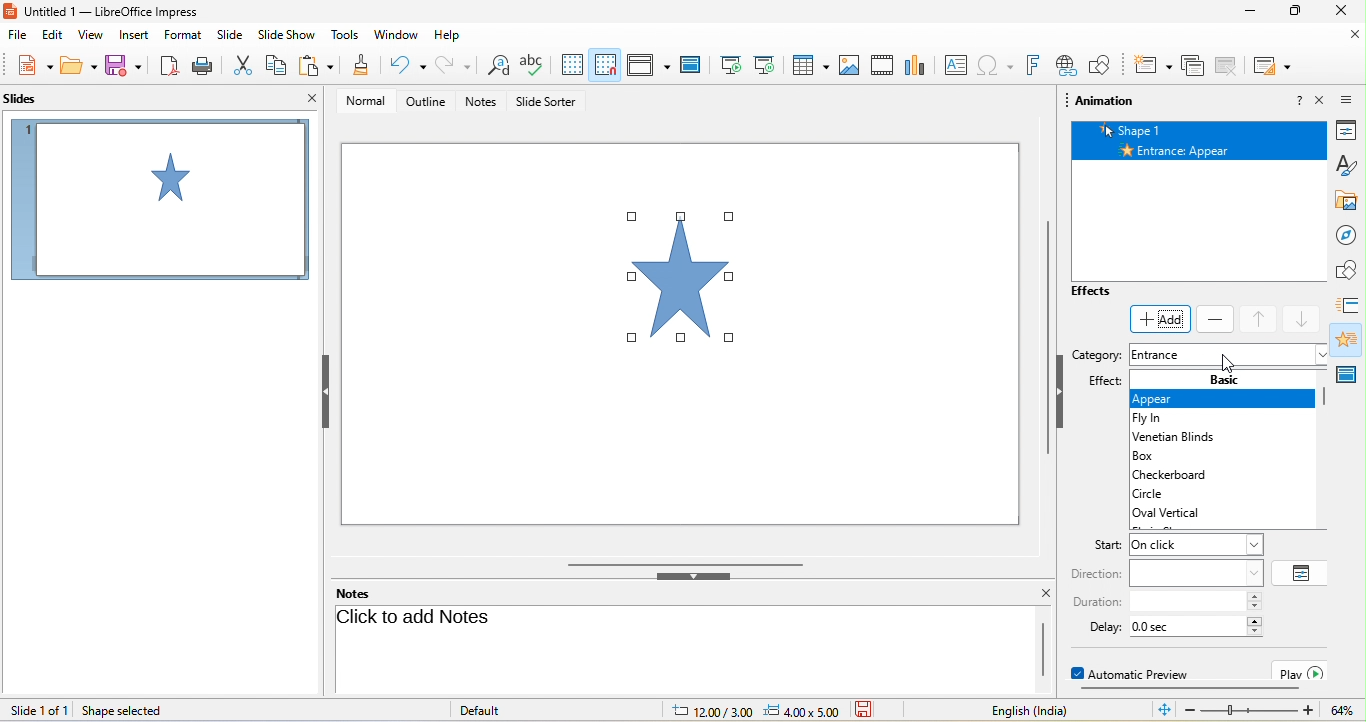 The width and height of the screenshot is (1366, 722). Describe the element at coordinates (1350, 166) in the screenshot. I see `styles` at that location.